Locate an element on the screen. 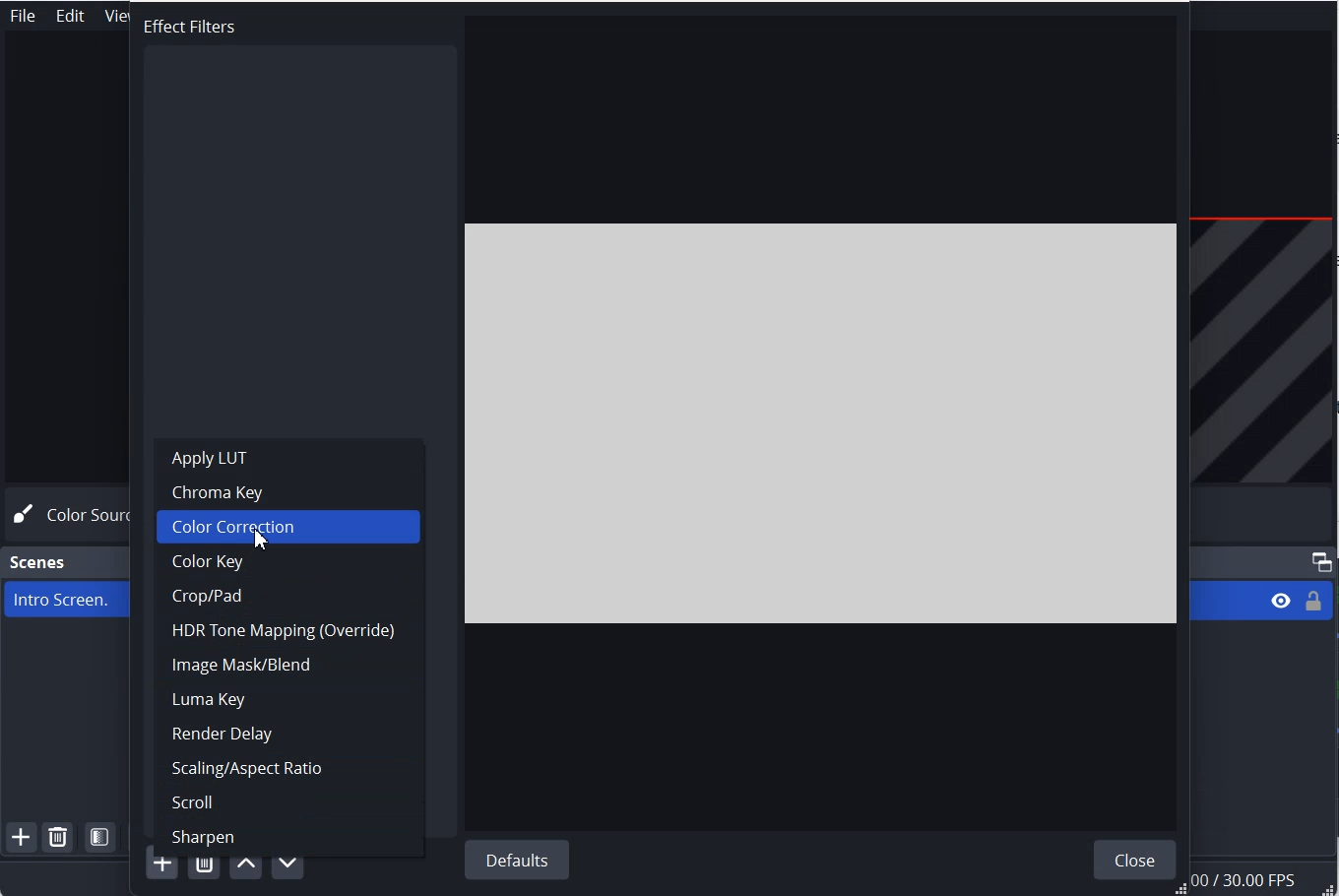 The height and width of the screenshot is (896, 1339). Scaling/Aspect ration is located at coordinates (288, 766).